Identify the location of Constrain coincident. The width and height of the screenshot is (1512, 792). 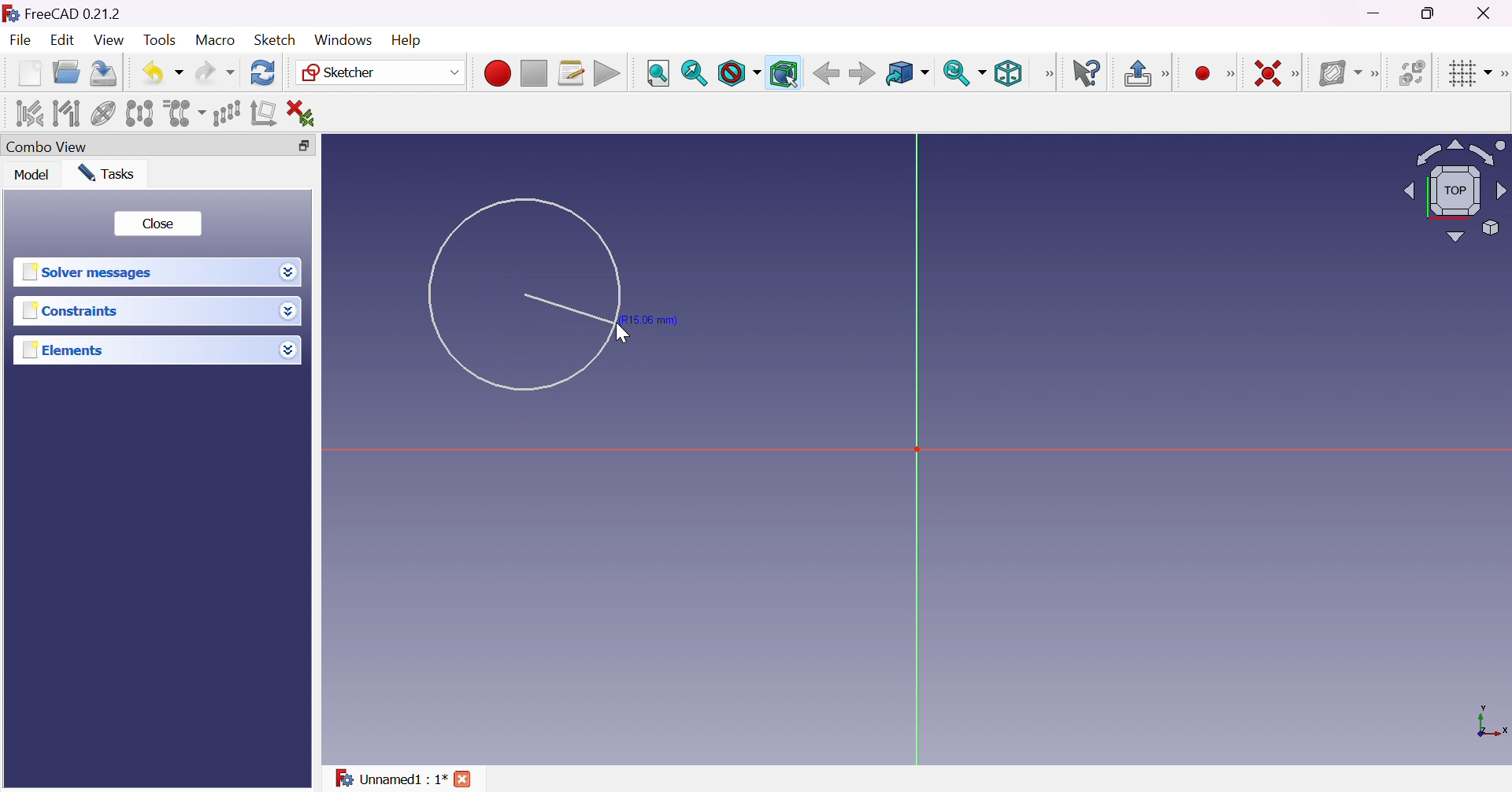
(1266, 73).